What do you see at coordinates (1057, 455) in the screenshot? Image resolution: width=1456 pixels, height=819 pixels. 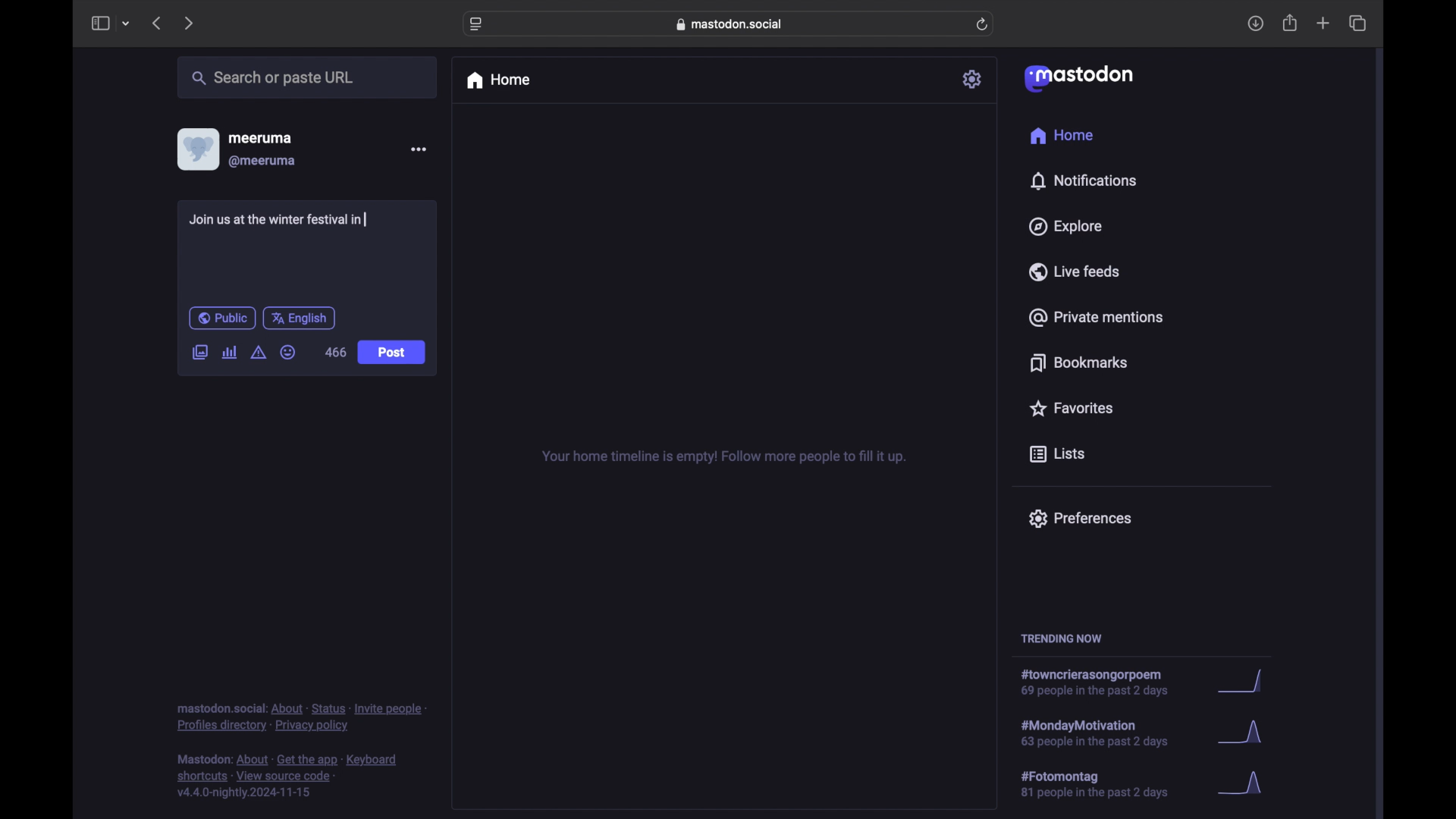 I see `lists` at bounding box center [1057, 455].